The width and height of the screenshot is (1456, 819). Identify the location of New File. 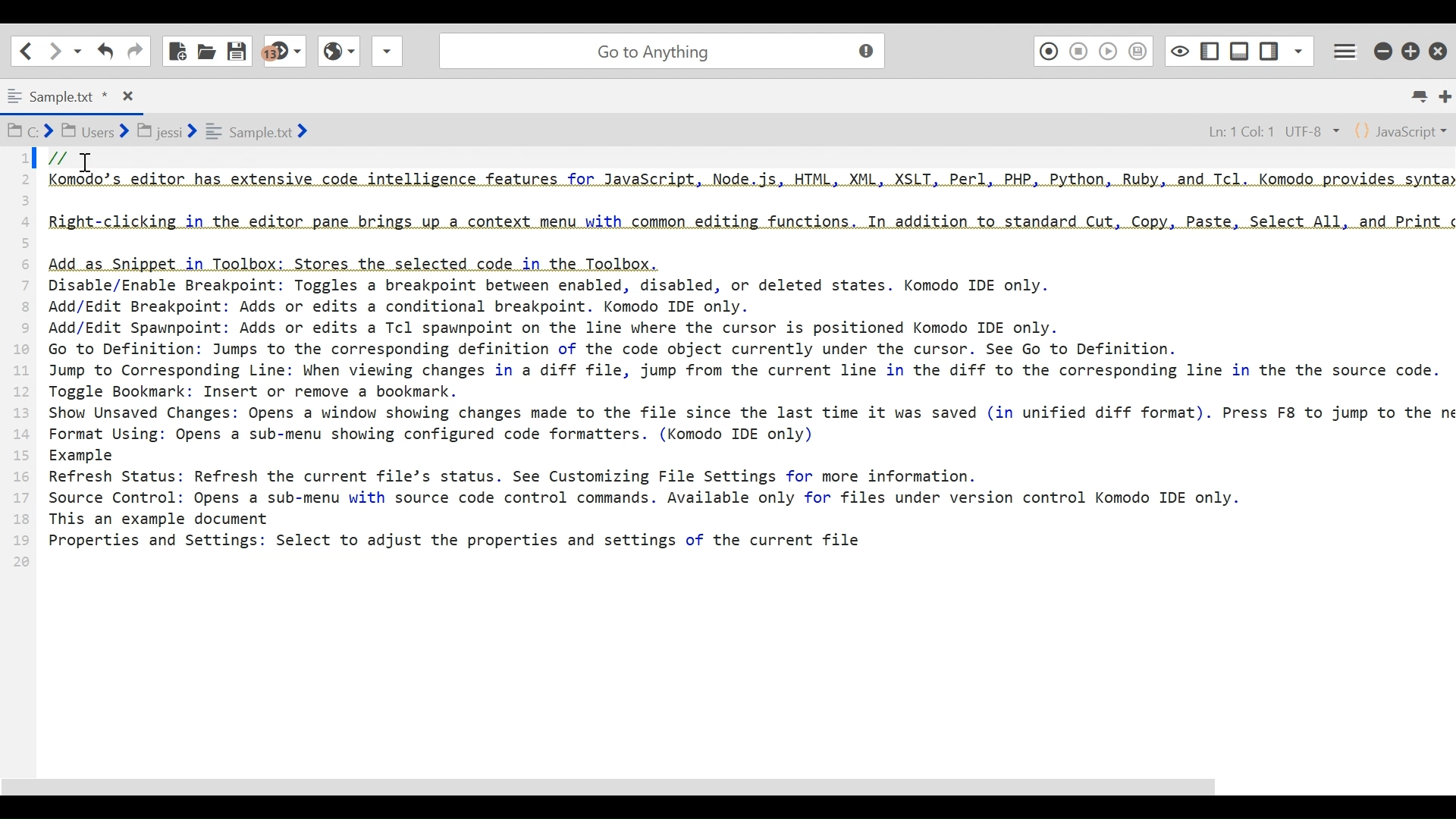
(178, 49).